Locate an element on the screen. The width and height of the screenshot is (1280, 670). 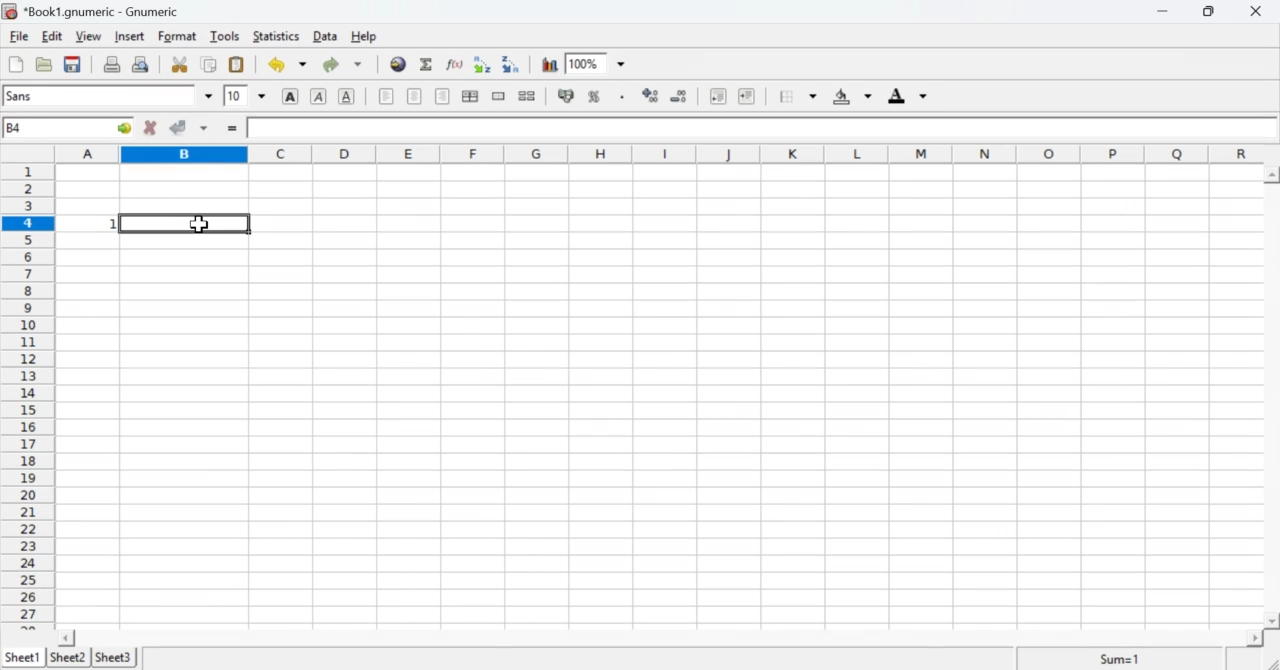
Cut selection is located at coordinates (178, 65).